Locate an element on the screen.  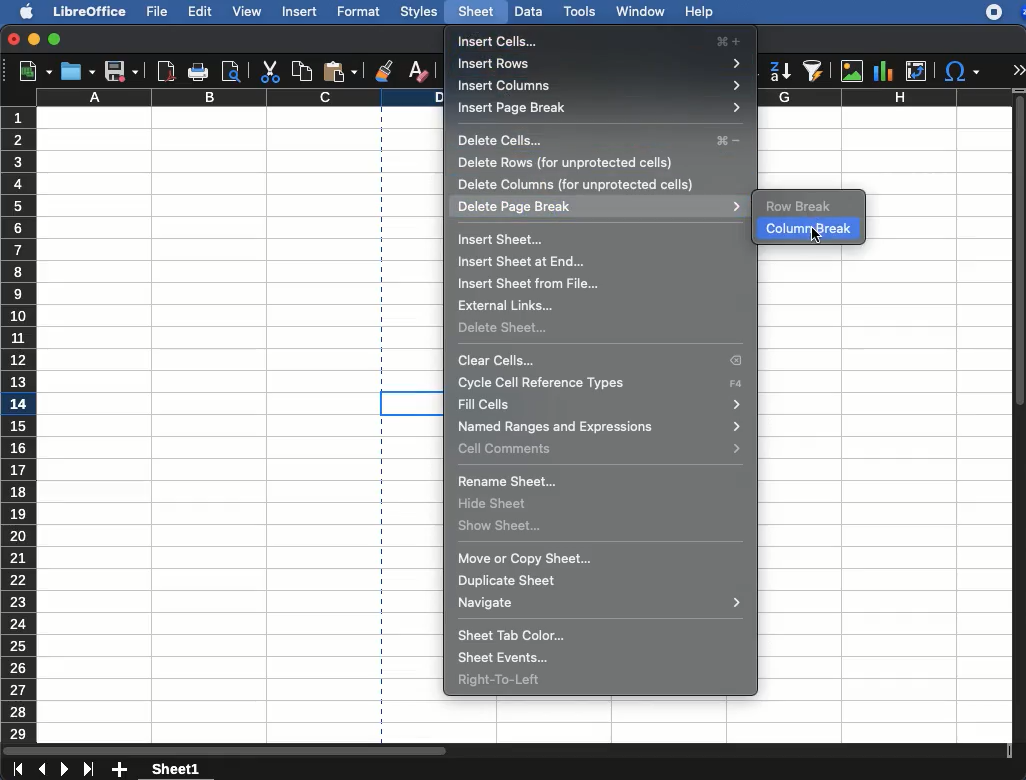
last sheet is located at coordinates (91, 769).